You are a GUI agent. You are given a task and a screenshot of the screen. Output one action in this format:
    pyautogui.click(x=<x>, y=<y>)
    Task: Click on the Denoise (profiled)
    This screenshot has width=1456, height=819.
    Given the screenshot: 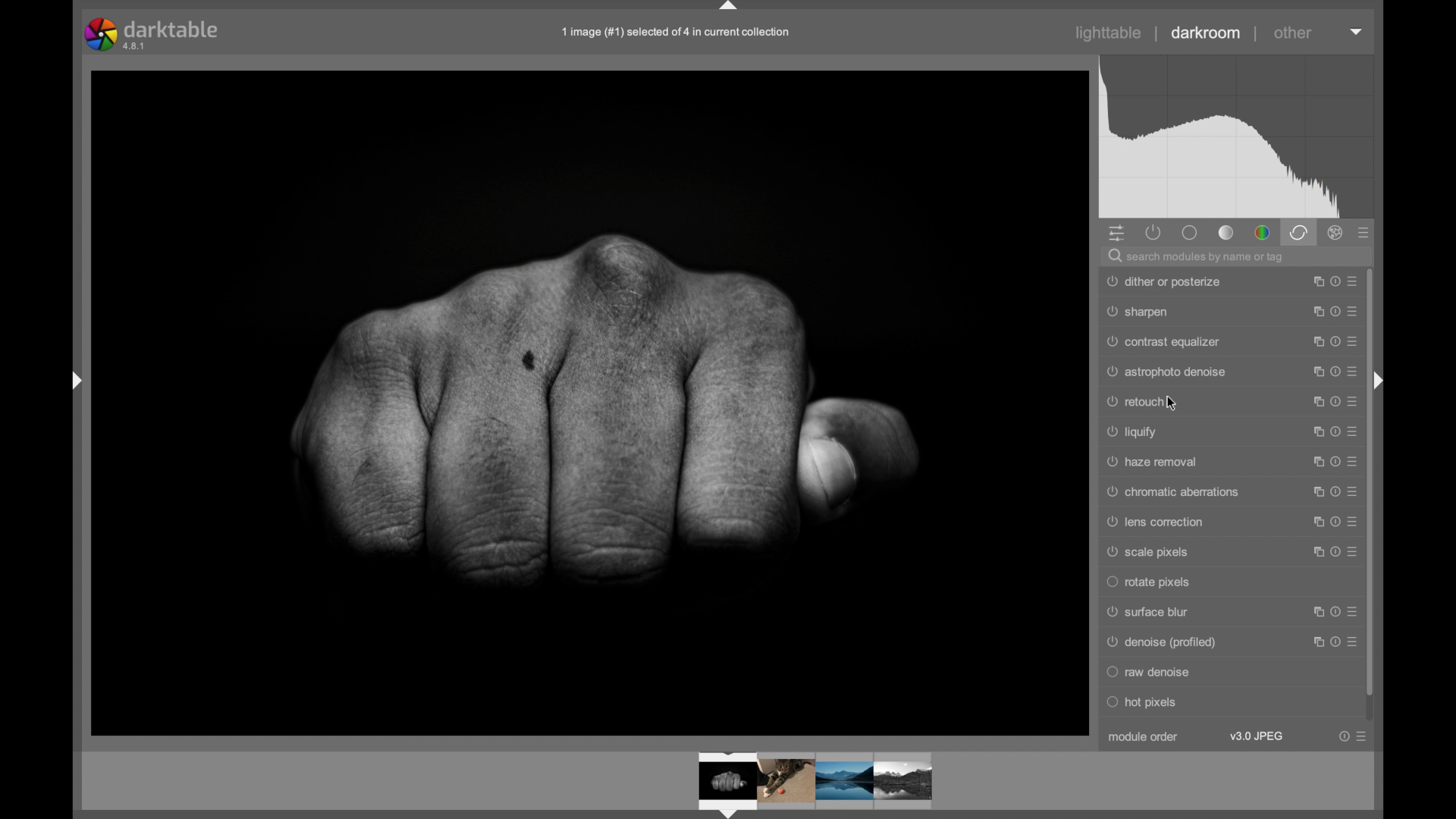 What is the action you would take?
    pyautogui.click(x=1159, y=642)
    